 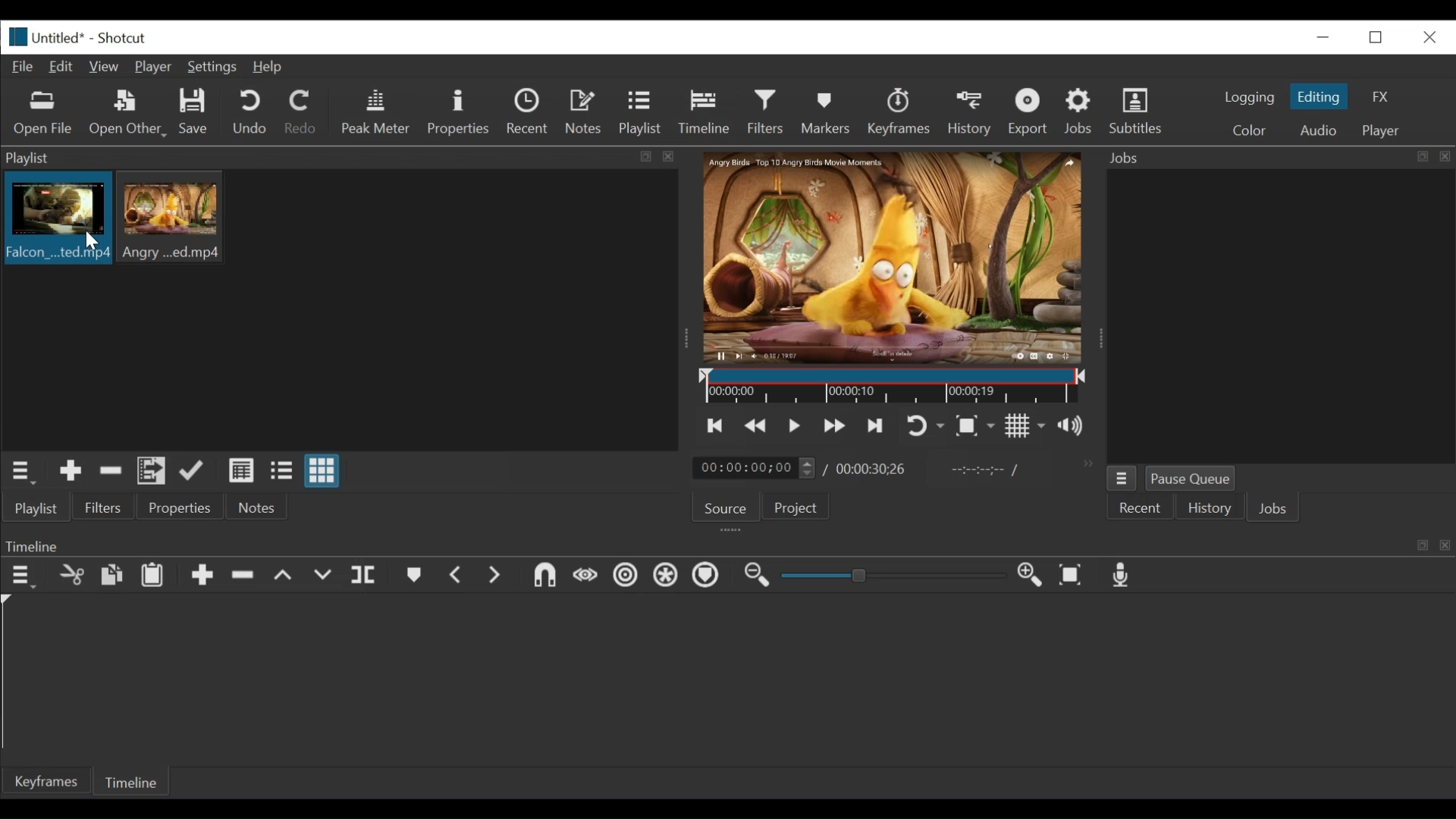 I want to click on Zoom timeline in, so click(x=755, y=577).